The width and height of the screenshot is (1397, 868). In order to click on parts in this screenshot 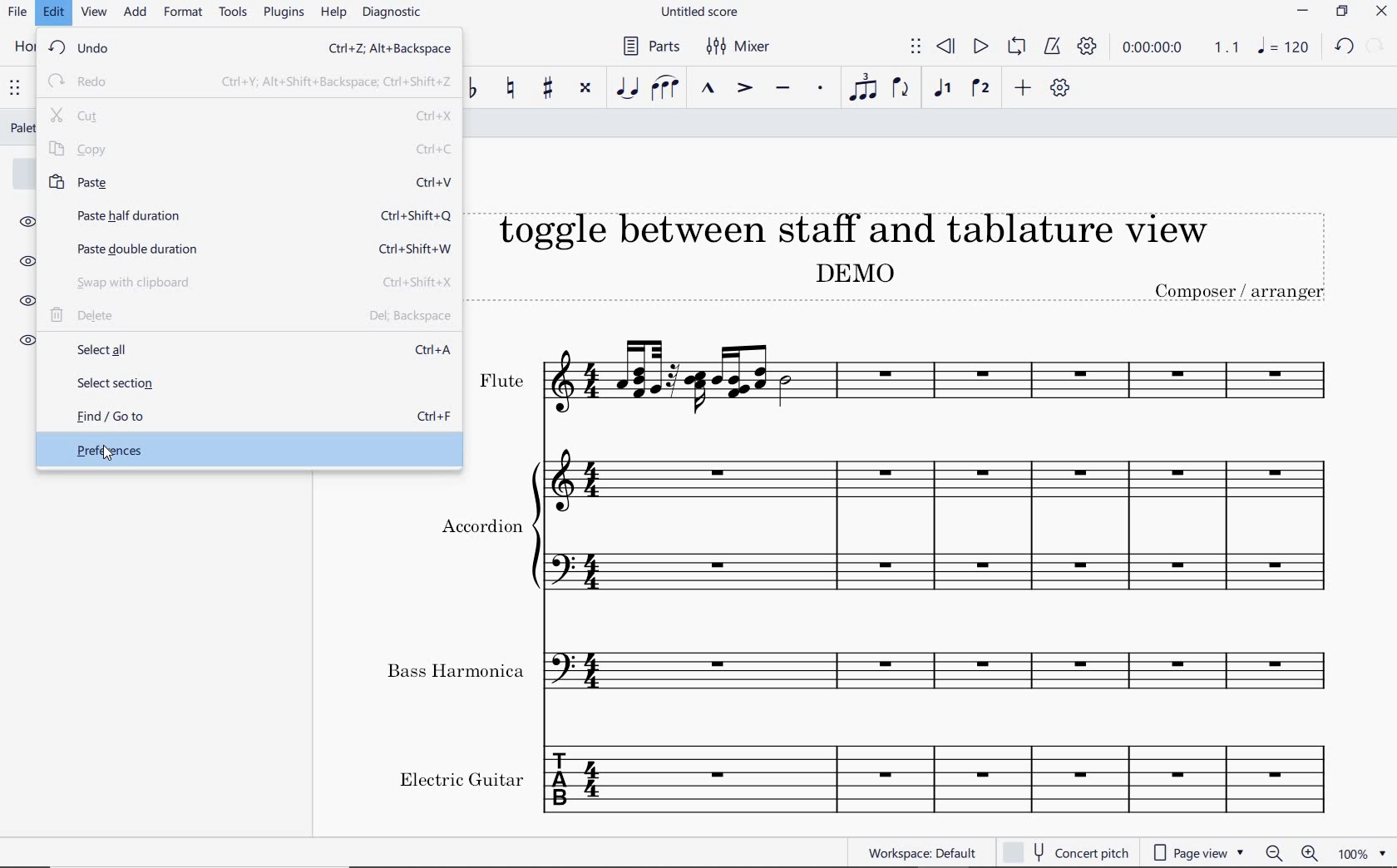, I will do `click(649, 47)`.